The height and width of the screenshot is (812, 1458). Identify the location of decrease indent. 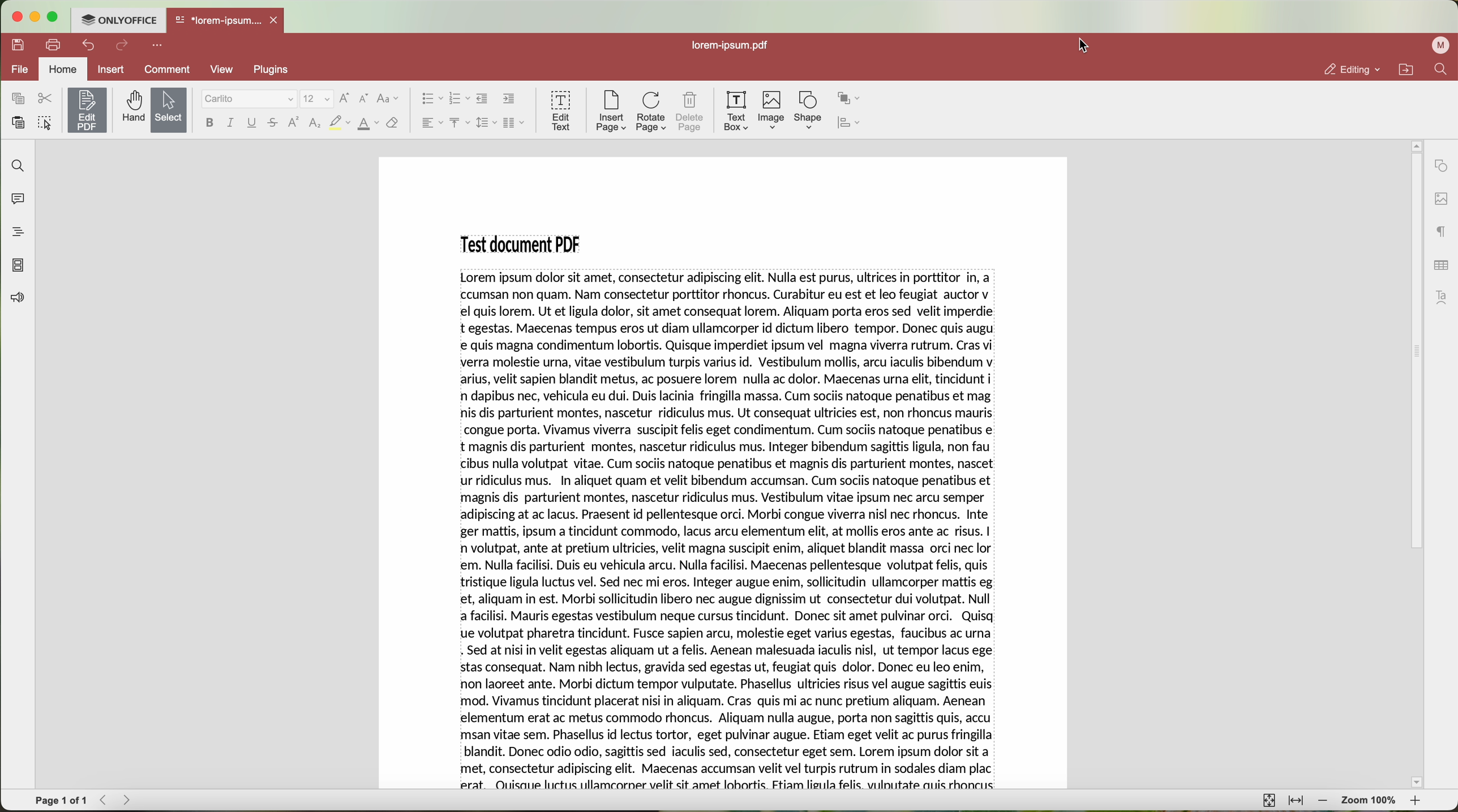
(484, 99).